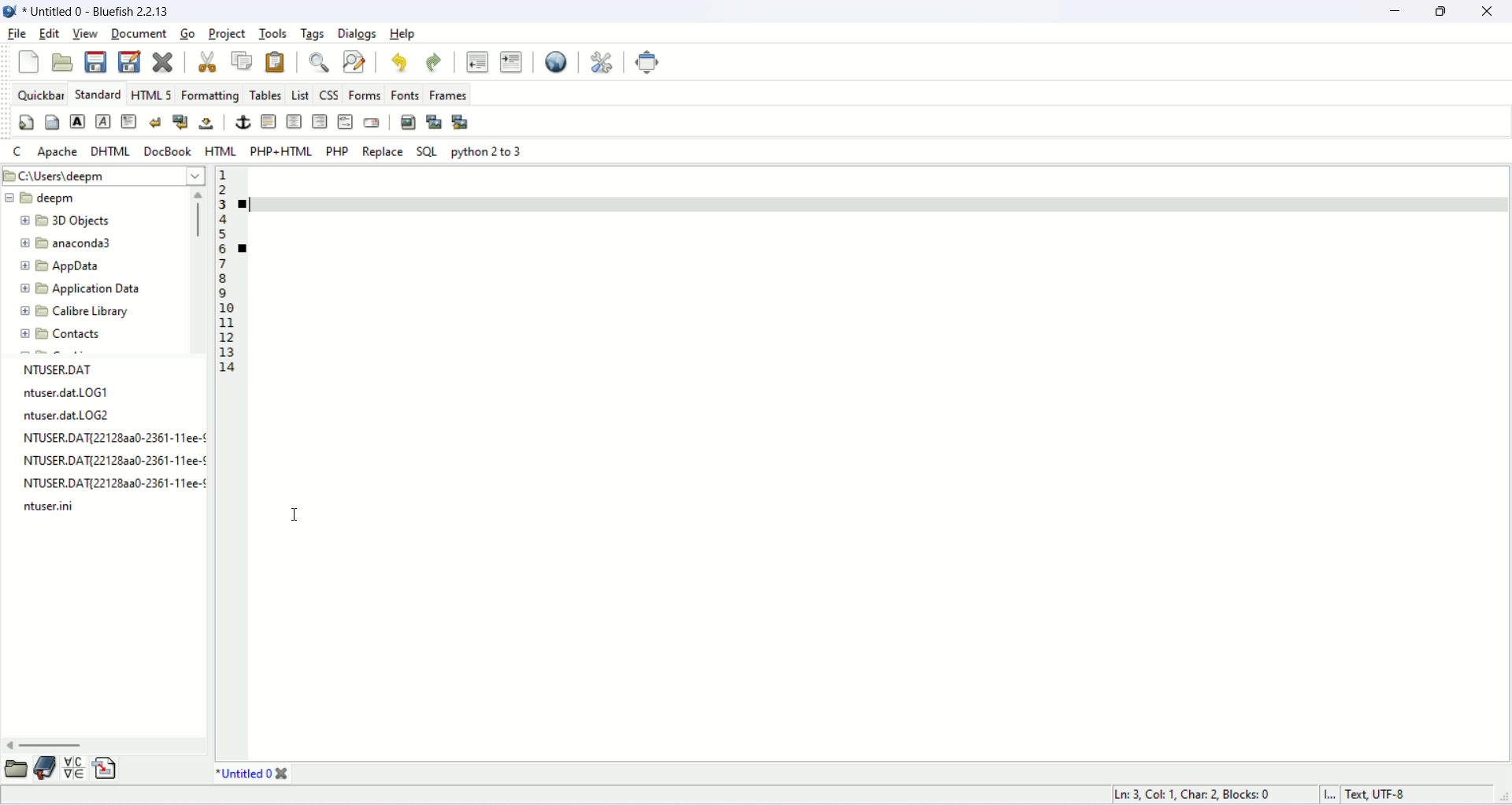 Image resolution: width=1512 pixels, height=805 pixels. What do you see at coordinates (224, 270) in the screenshot?
I see `line number` at bounding box center [224, 270].